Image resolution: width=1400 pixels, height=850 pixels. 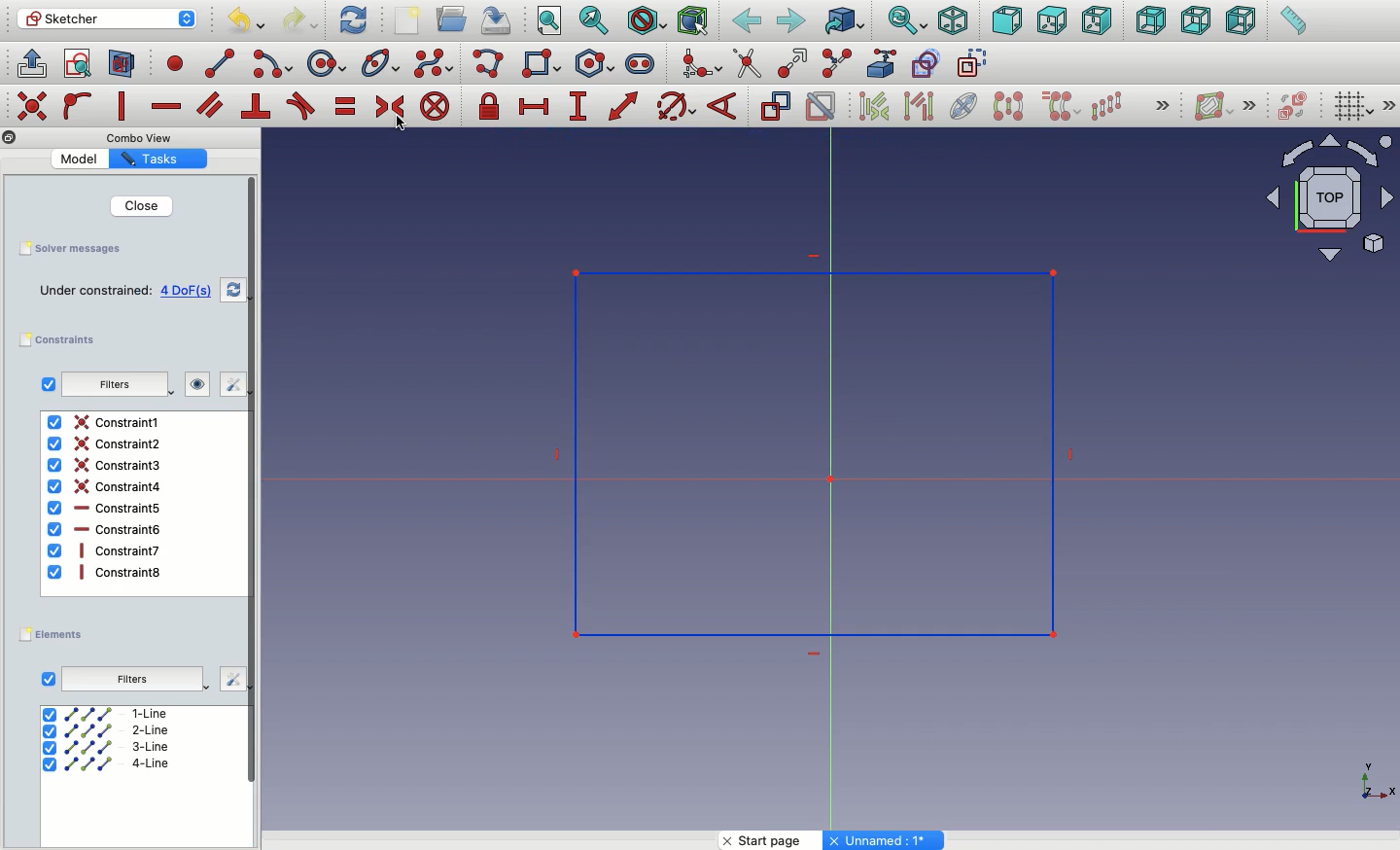 I want to click on Refresh, so click(x=353, y=18).